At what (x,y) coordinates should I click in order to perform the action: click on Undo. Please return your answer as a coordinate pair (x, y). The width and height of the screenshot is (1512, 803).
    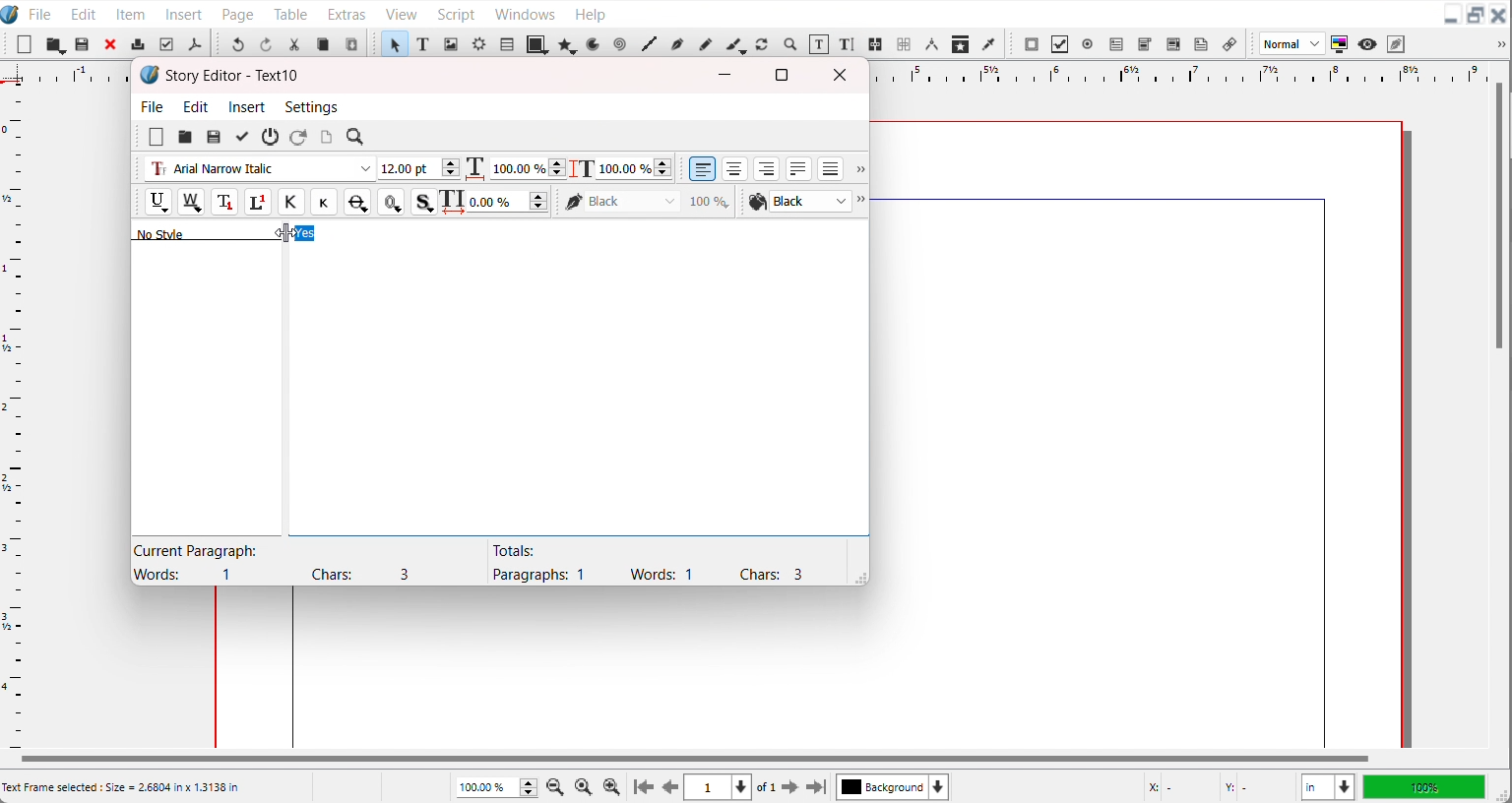
    Looking at the image, I should click on (237, 43).